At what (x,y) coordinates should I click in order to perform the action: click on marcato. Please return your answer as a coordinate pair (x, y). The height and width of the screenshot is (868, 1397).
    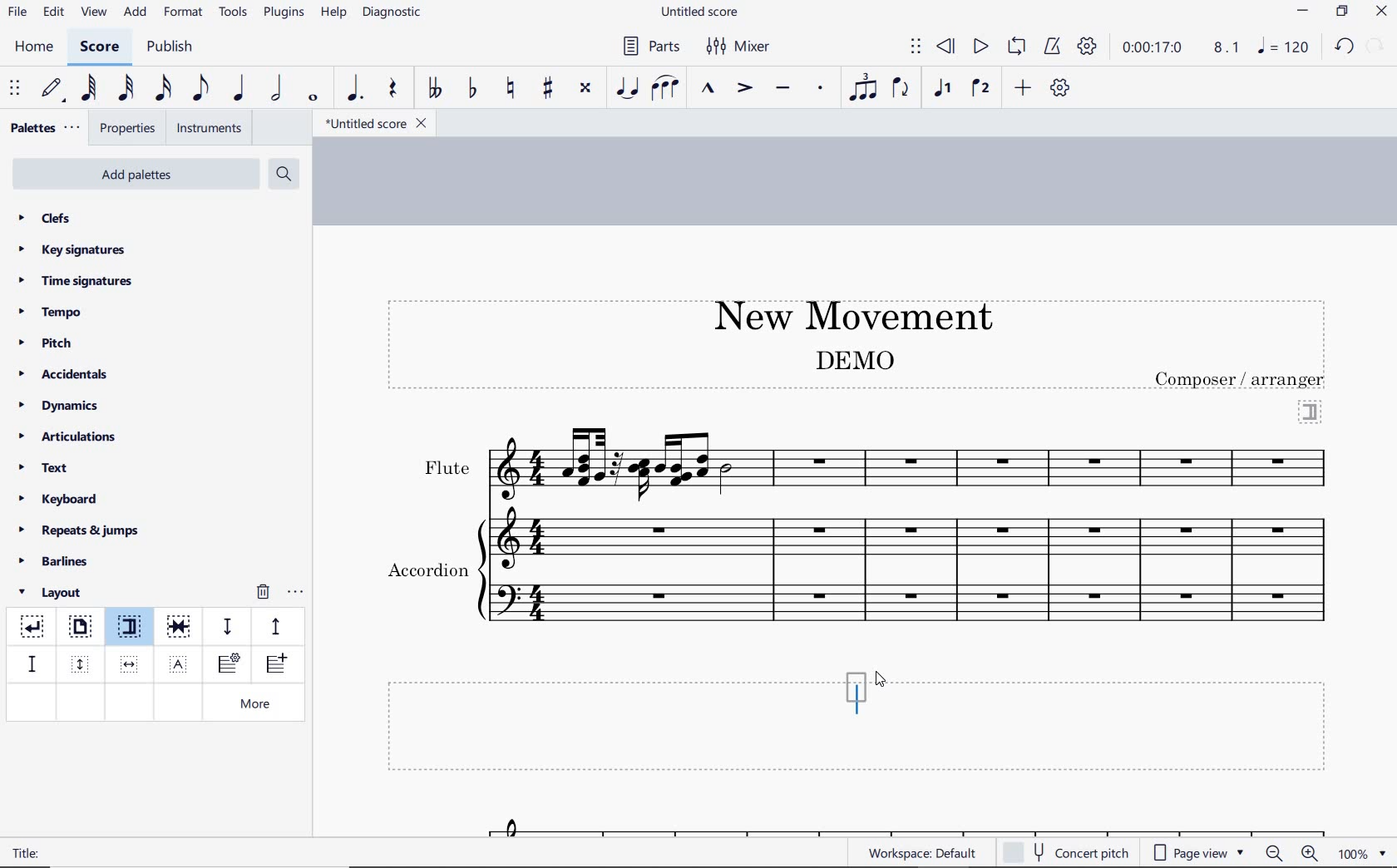
    Looking at the image, I should click on (710, 90).